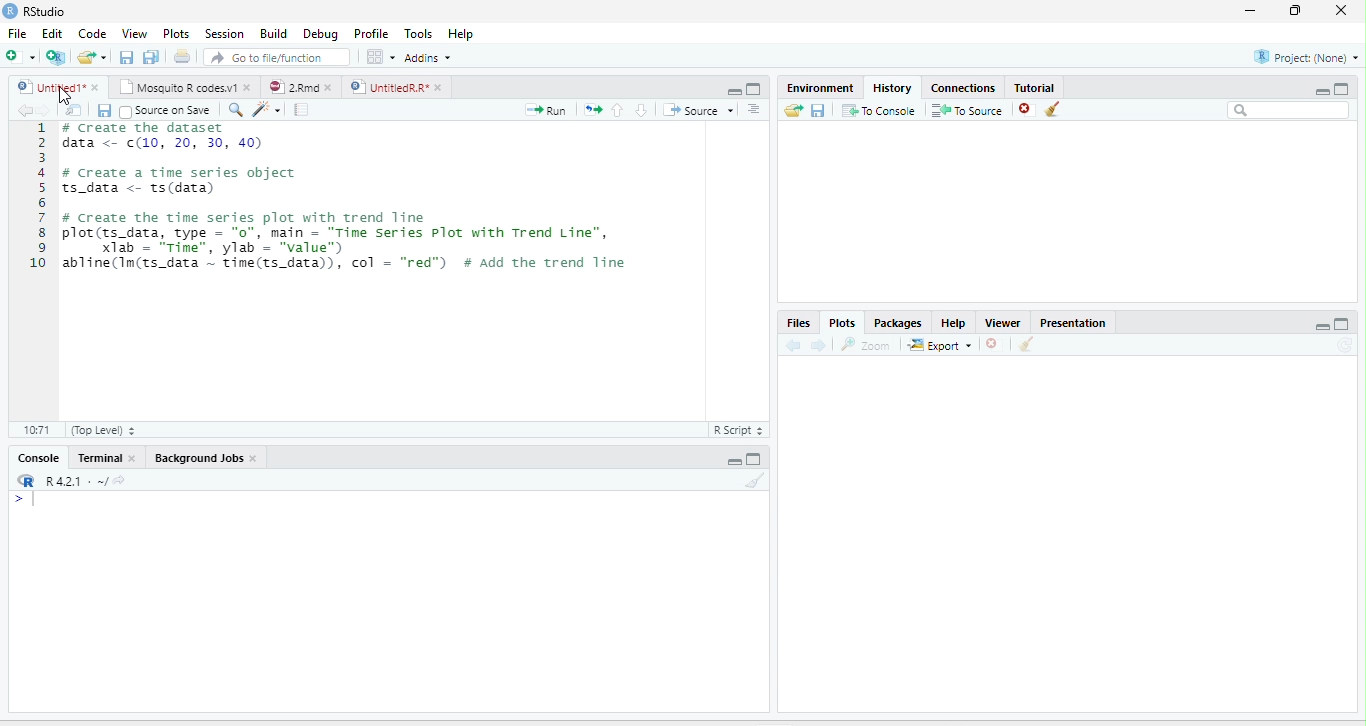 The width and height of the screenshot is (1366, 726). Describe the element at coordinates (176, 87) in the screenshot. I see `Mosquito R codes.v1` at that location.